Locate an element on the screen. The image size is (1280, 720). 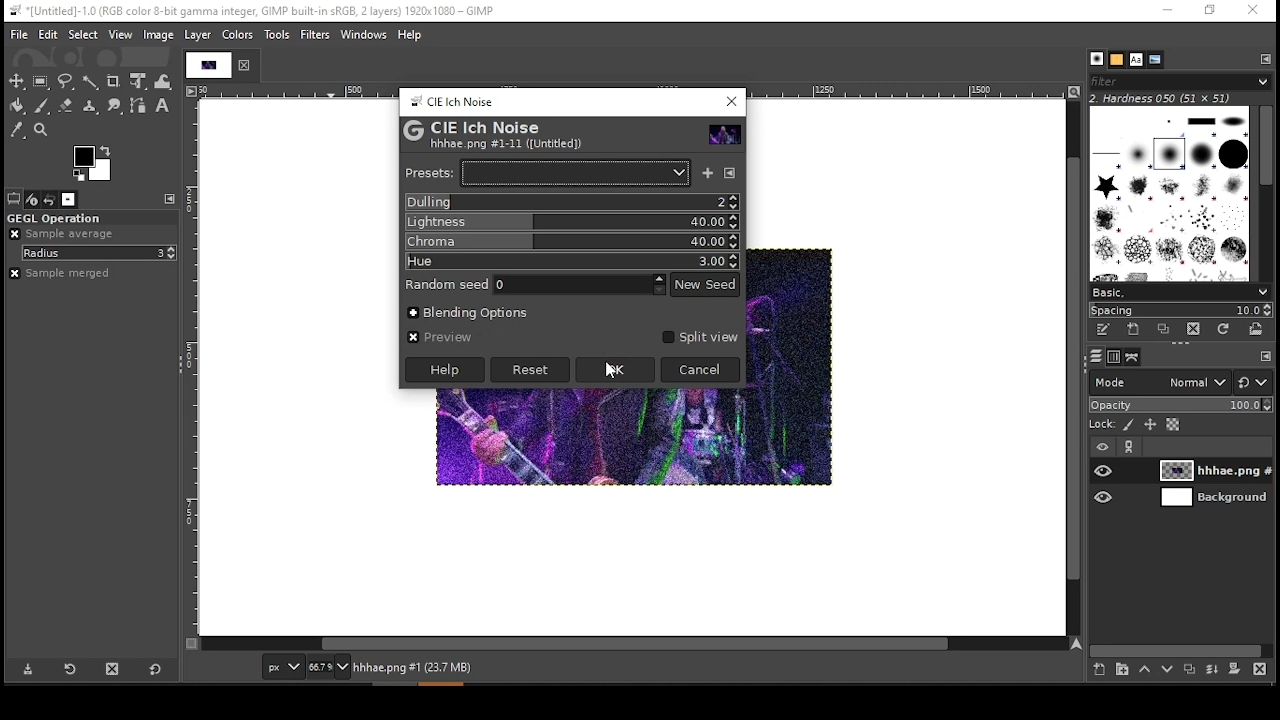
save current as named preset is located at coordinates (707, 172).